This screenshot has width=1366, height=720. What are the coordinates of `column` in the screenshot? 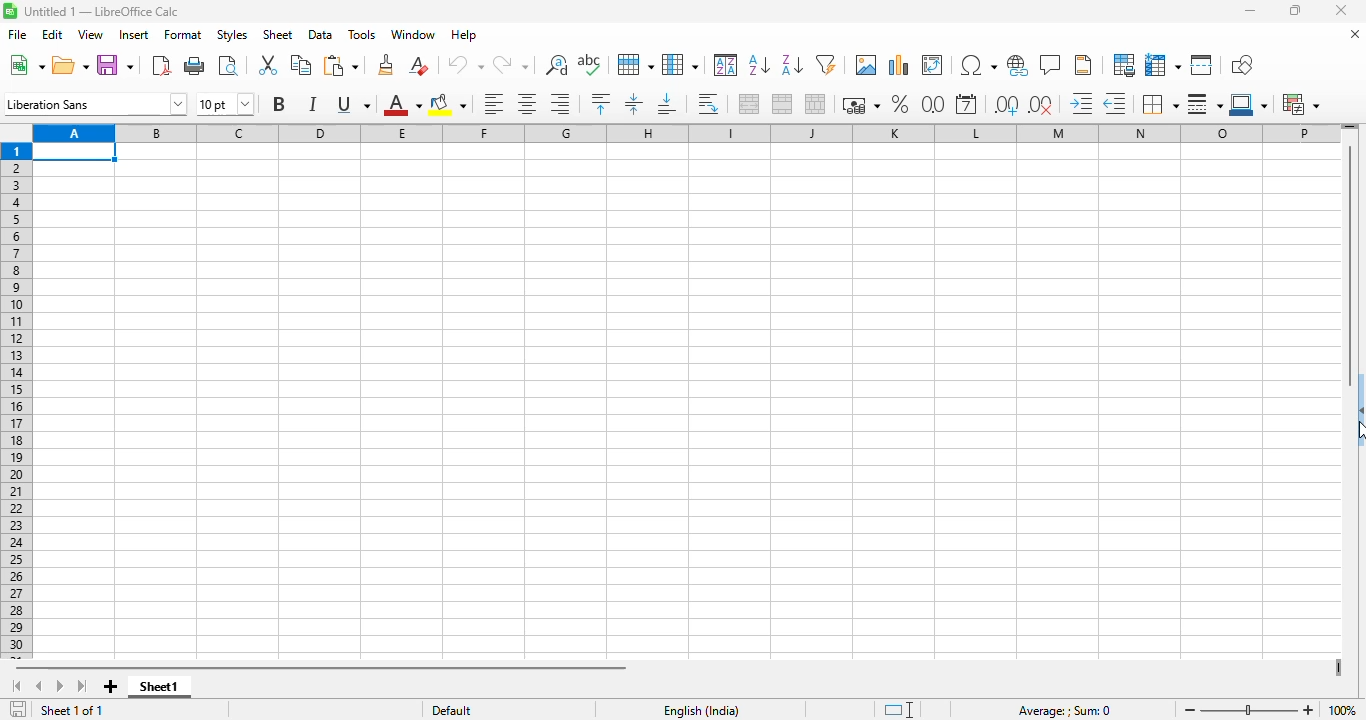 It's located at (680, 65).